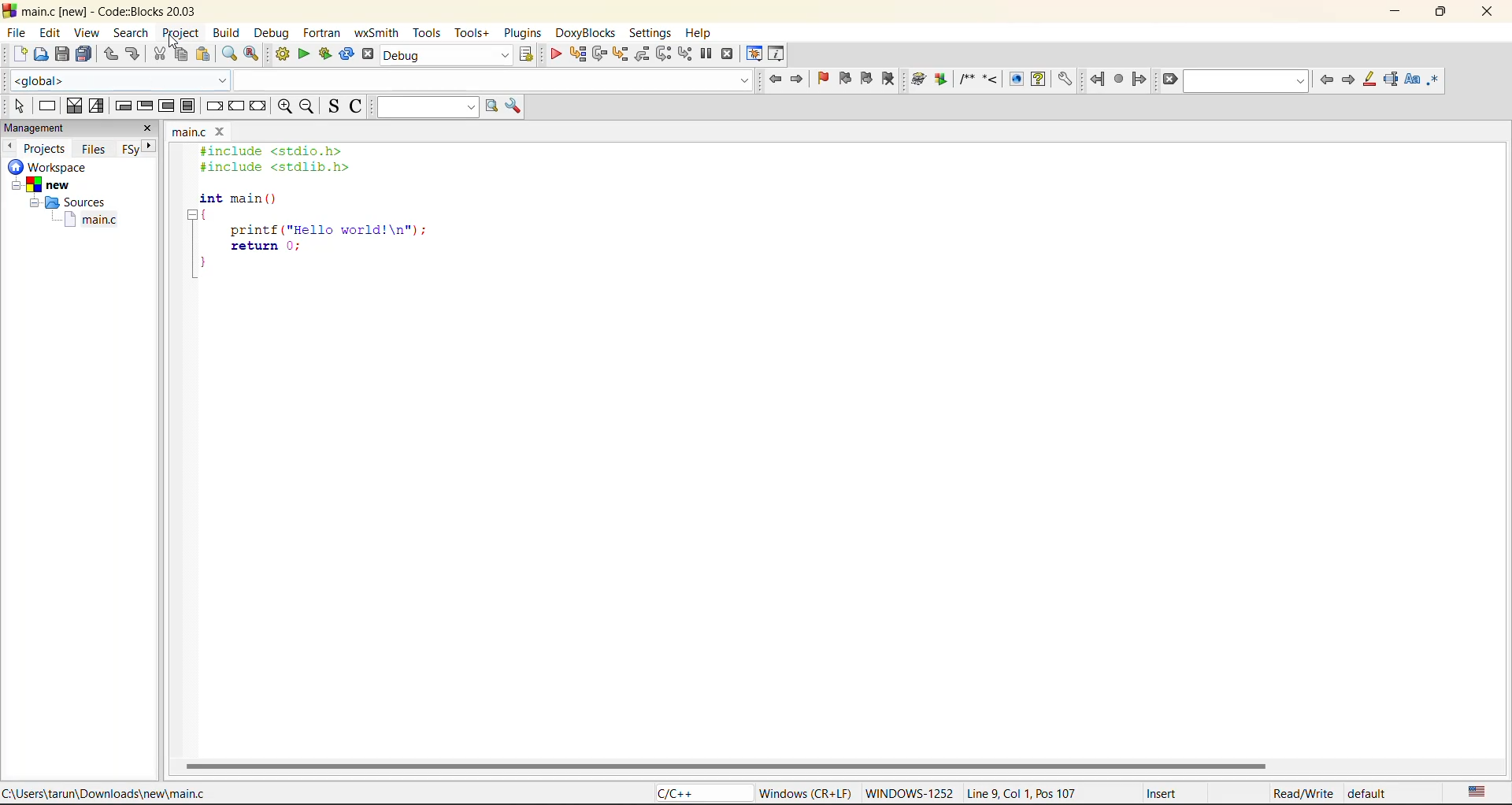 The image size is (1512, 805). What do you see at coordinates (1436, 80) in the screenshot?
I see `use regex` at bounding box center [1436, 80].